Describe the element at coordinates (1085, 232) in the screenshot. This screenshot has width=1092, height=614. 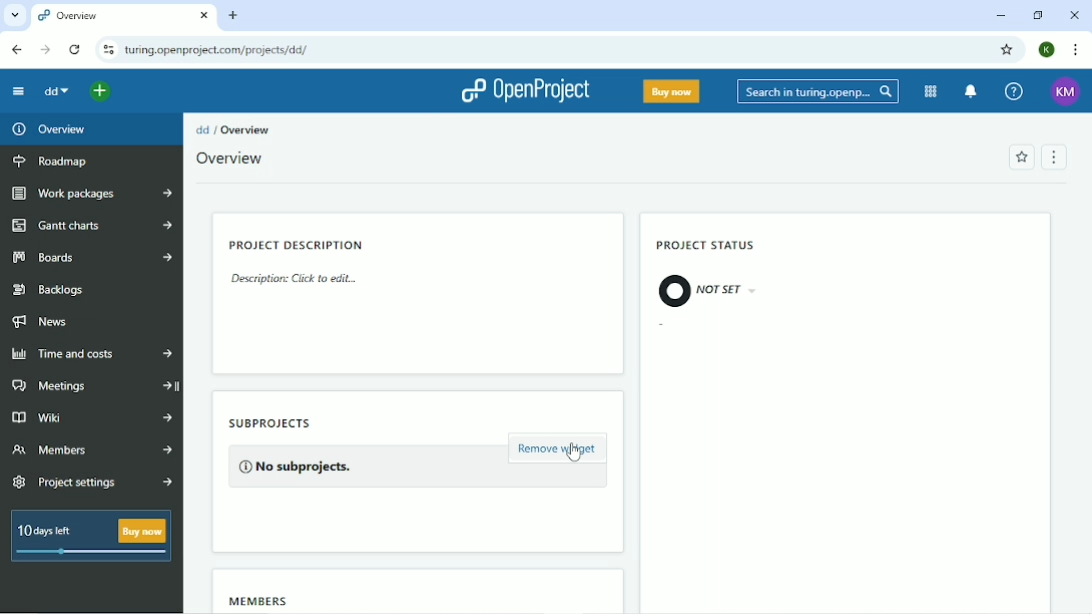
I see `Vertical scrollbar` at that location.